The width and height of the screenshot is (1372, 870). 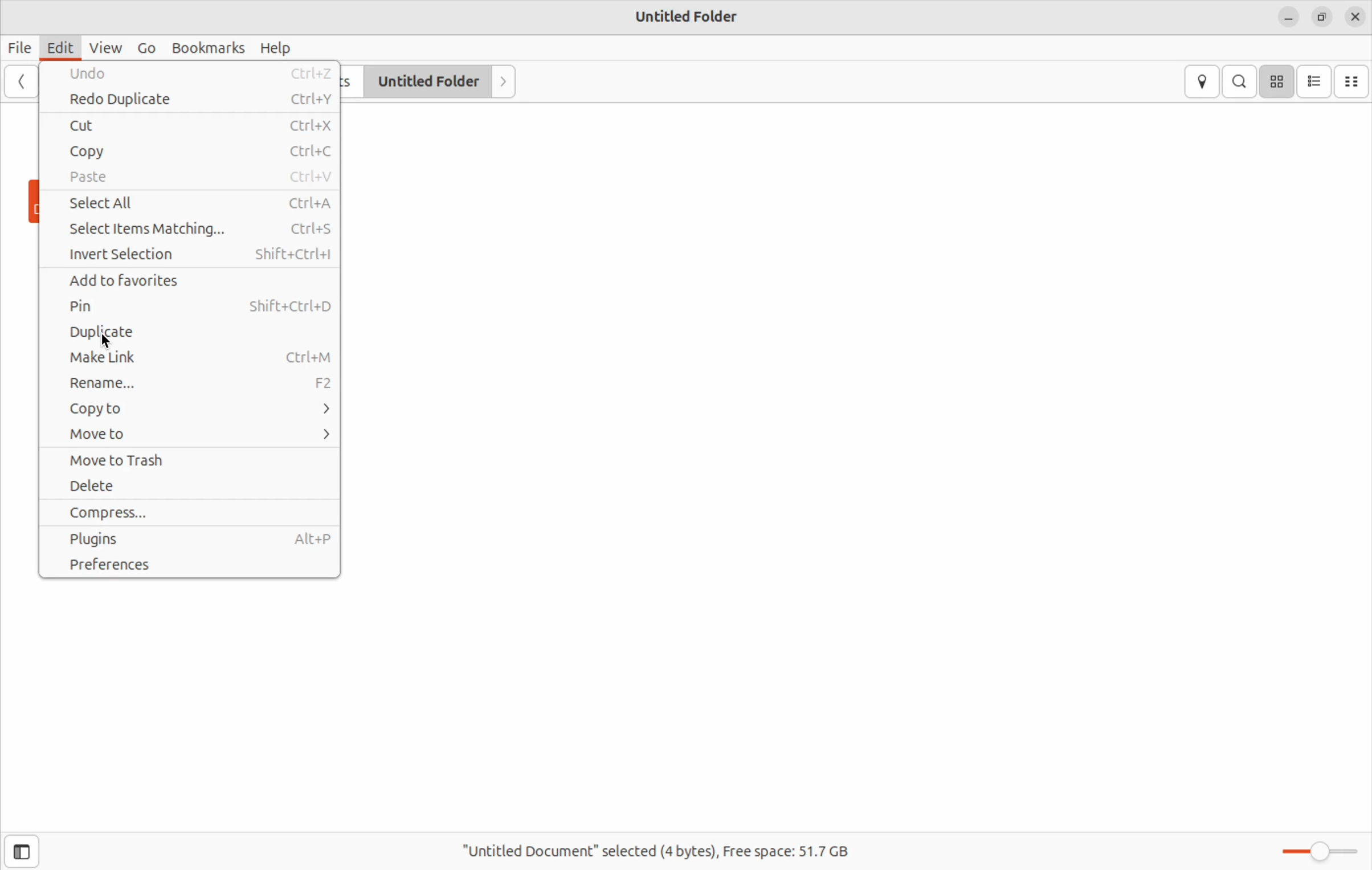 What do you see at coordinates (1356, 18) in the screenshot?
I see `close` at bounding box center [1356, 18].